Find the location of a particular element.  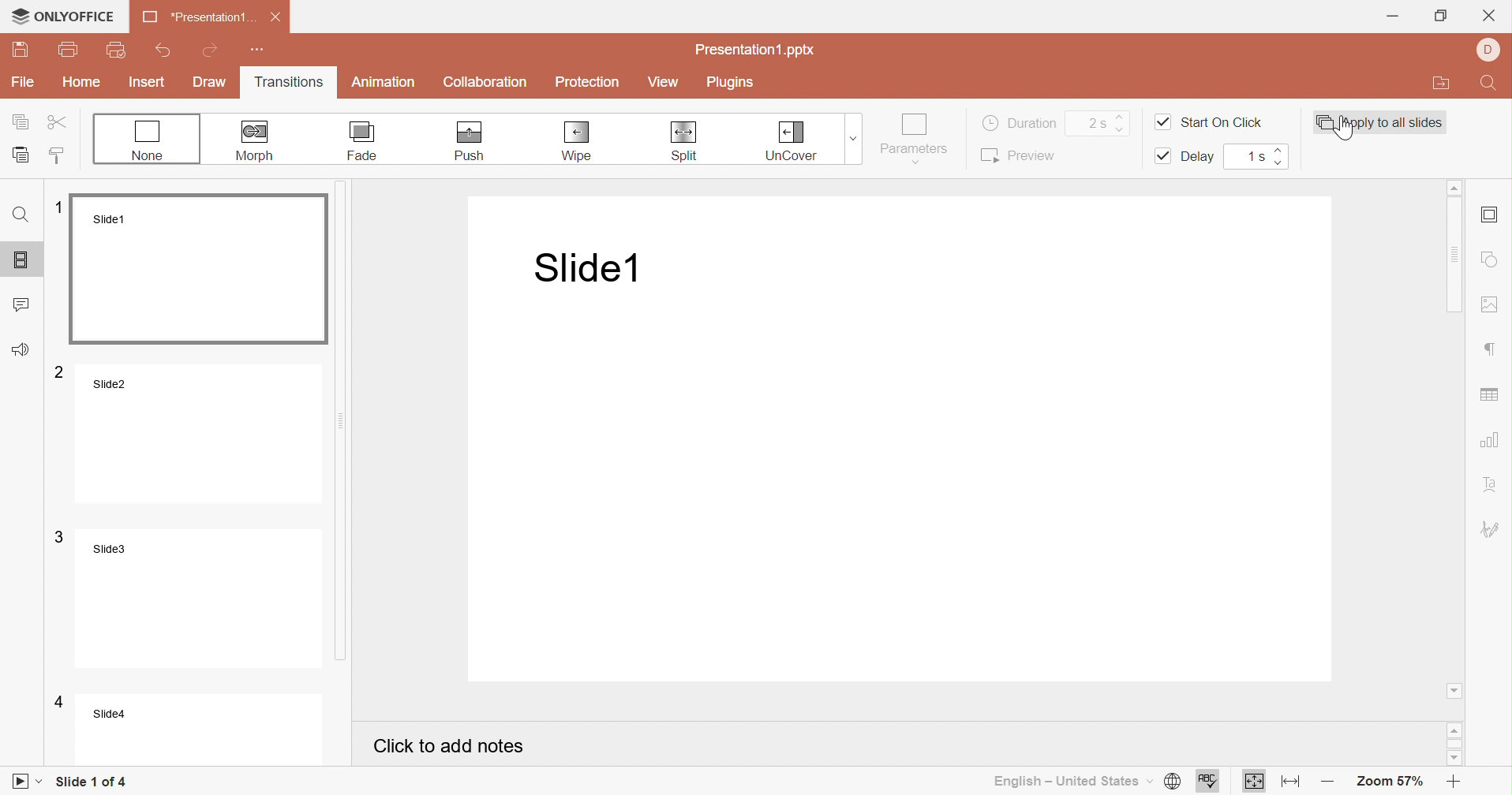

Paragraph settings is located at coordinates (1492, 349).